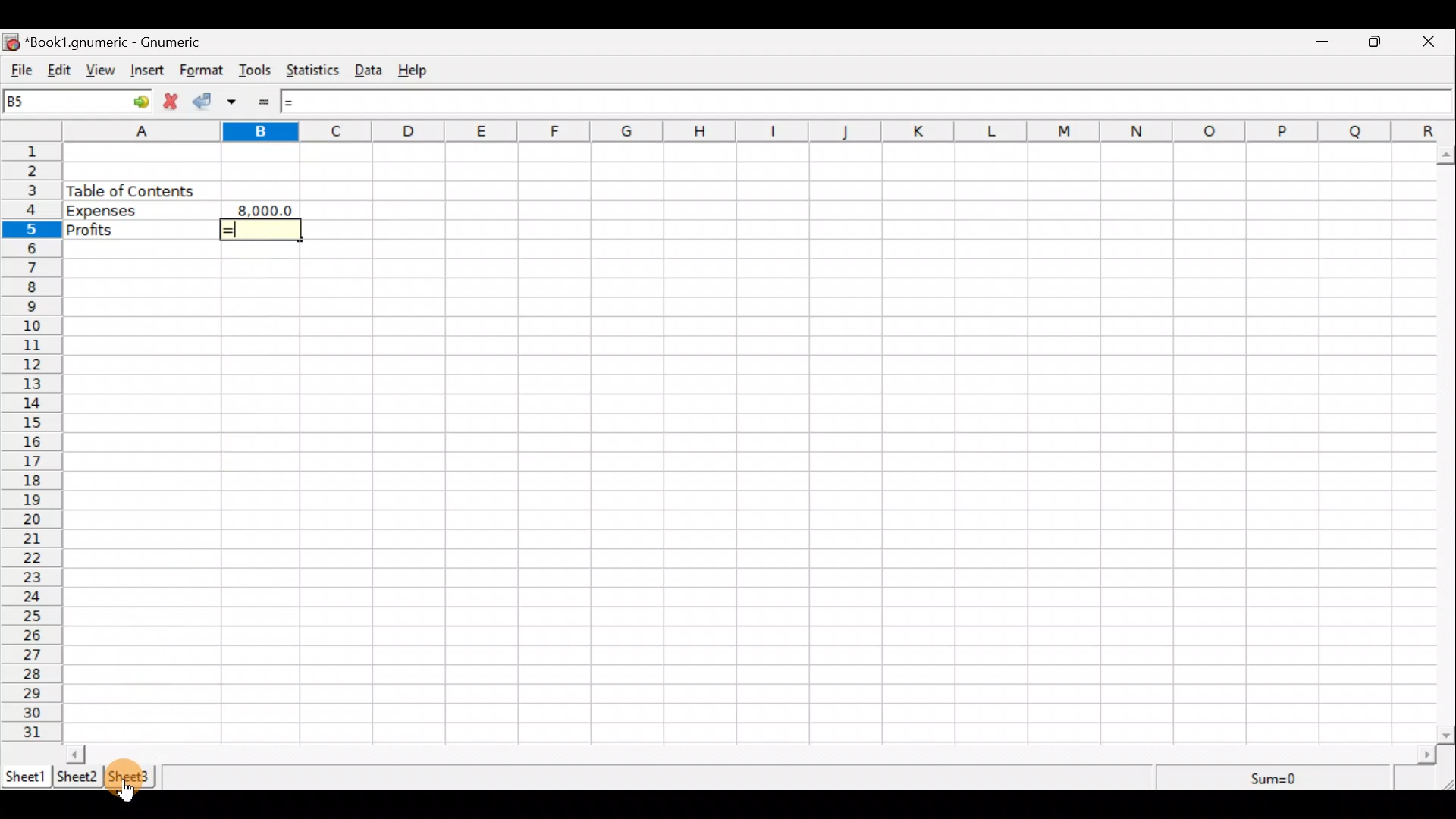  I want to click on Sheet 2, so click(77, 777).